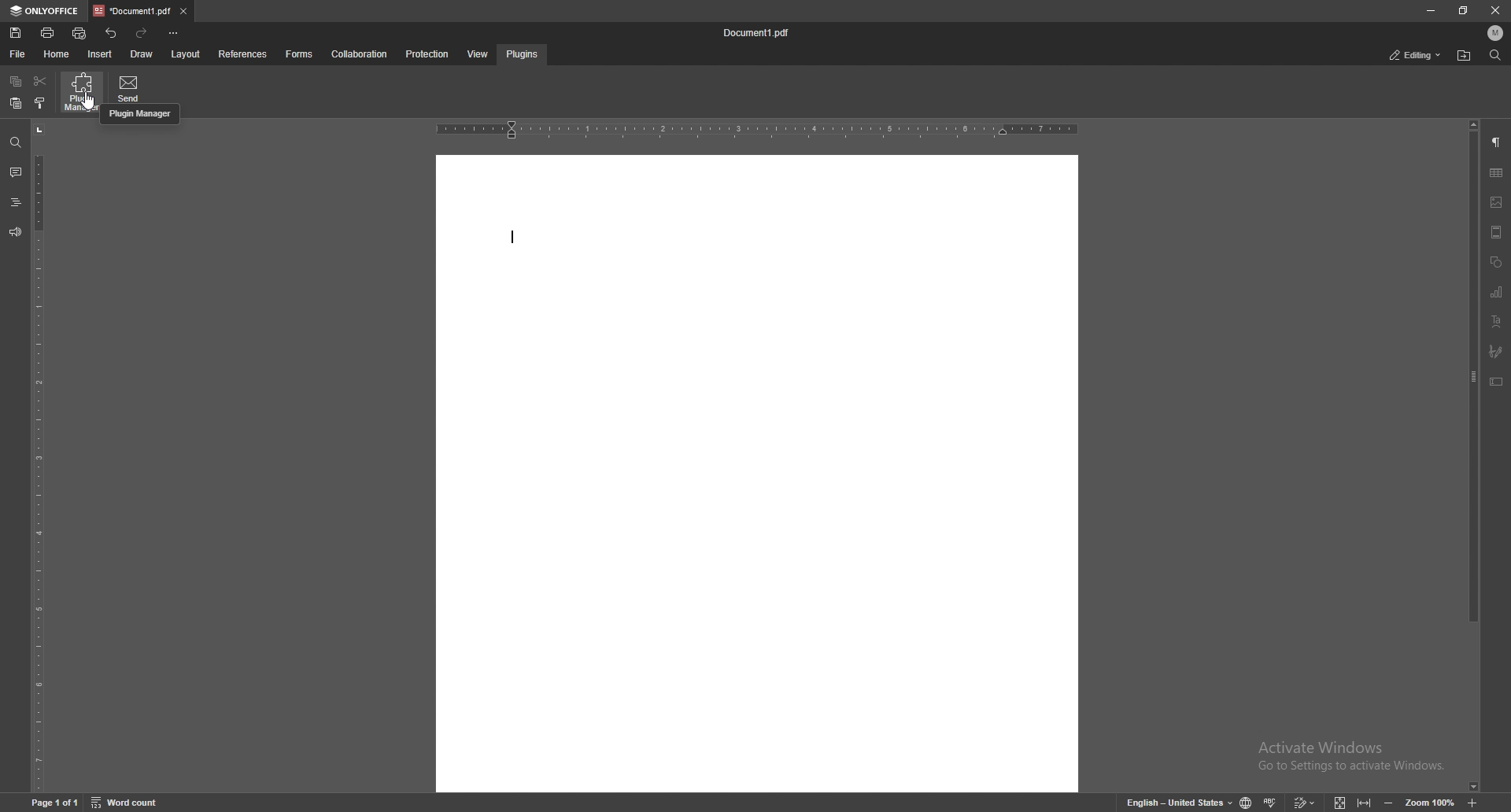  What do you see at coordinates (757, 474) in the screenshot?
I see `document` at bounding box center [757, 474].